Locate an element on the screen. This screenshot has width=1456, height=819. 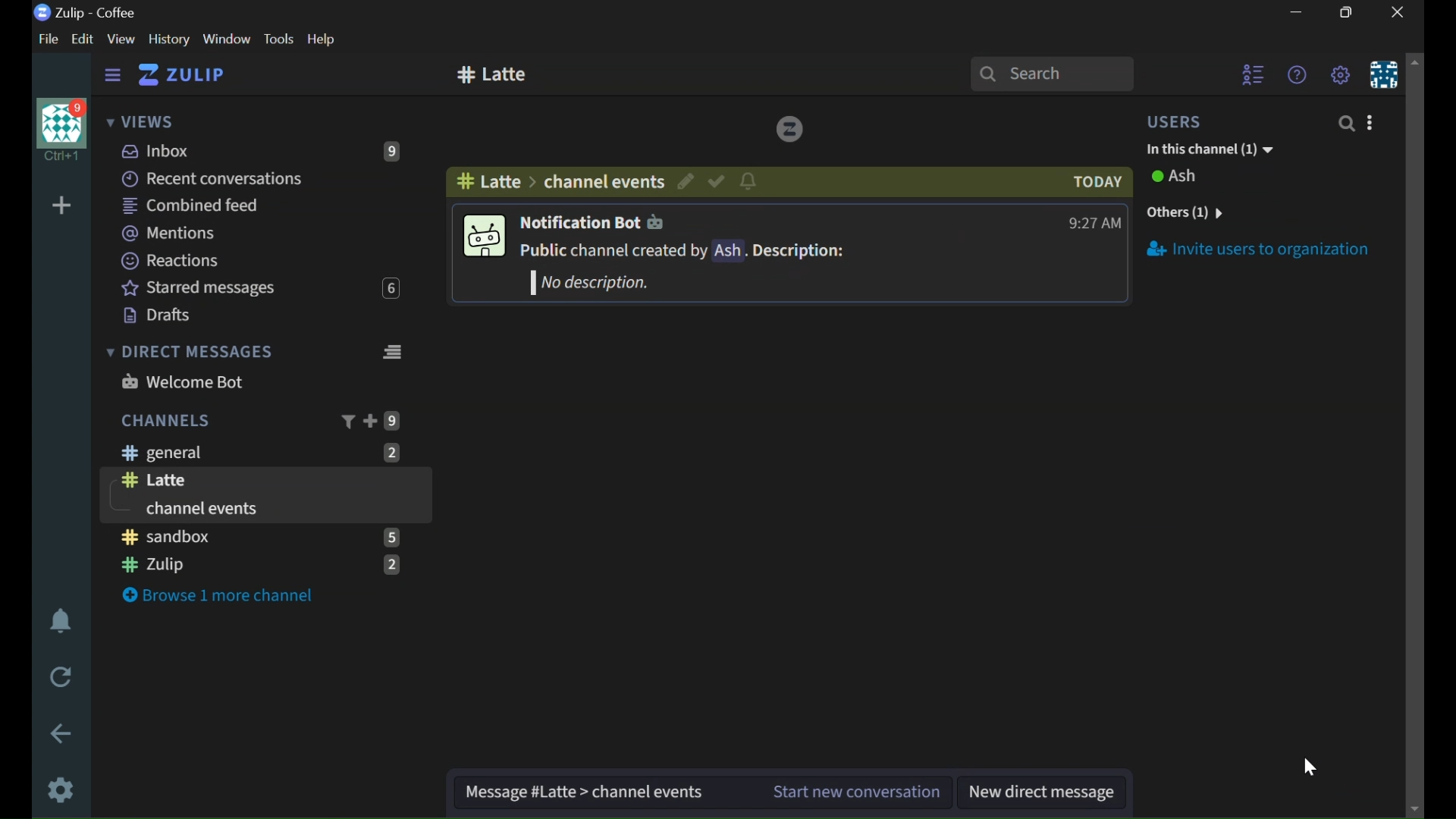
users is located at coordinates (1176, 120).